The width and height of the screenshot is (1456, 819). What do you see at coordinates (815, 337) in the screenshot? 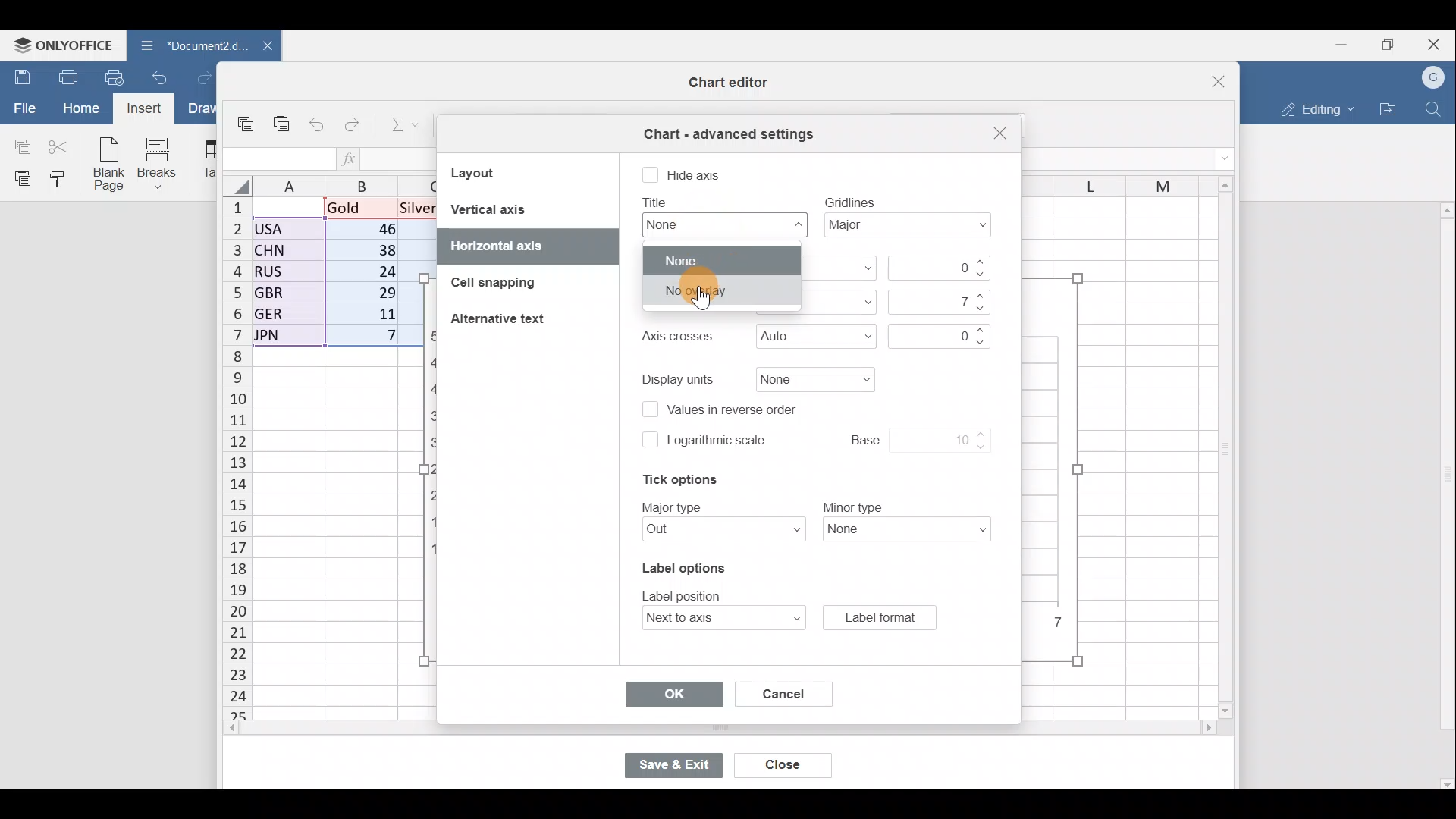
I see `Axis crosses` at bounding box center [815, 337].